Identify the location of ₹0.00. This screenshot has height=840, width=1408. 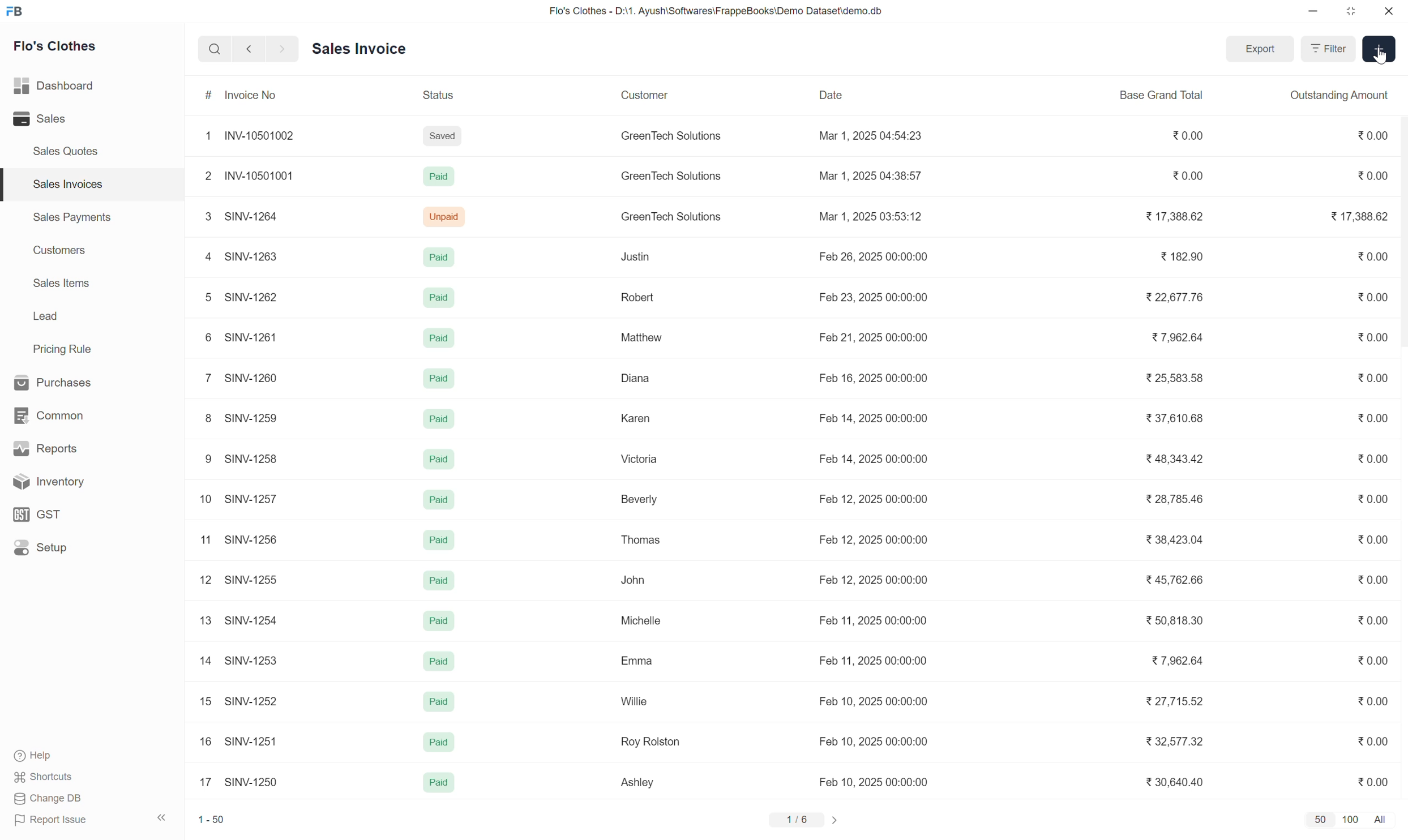
(1370, 258).